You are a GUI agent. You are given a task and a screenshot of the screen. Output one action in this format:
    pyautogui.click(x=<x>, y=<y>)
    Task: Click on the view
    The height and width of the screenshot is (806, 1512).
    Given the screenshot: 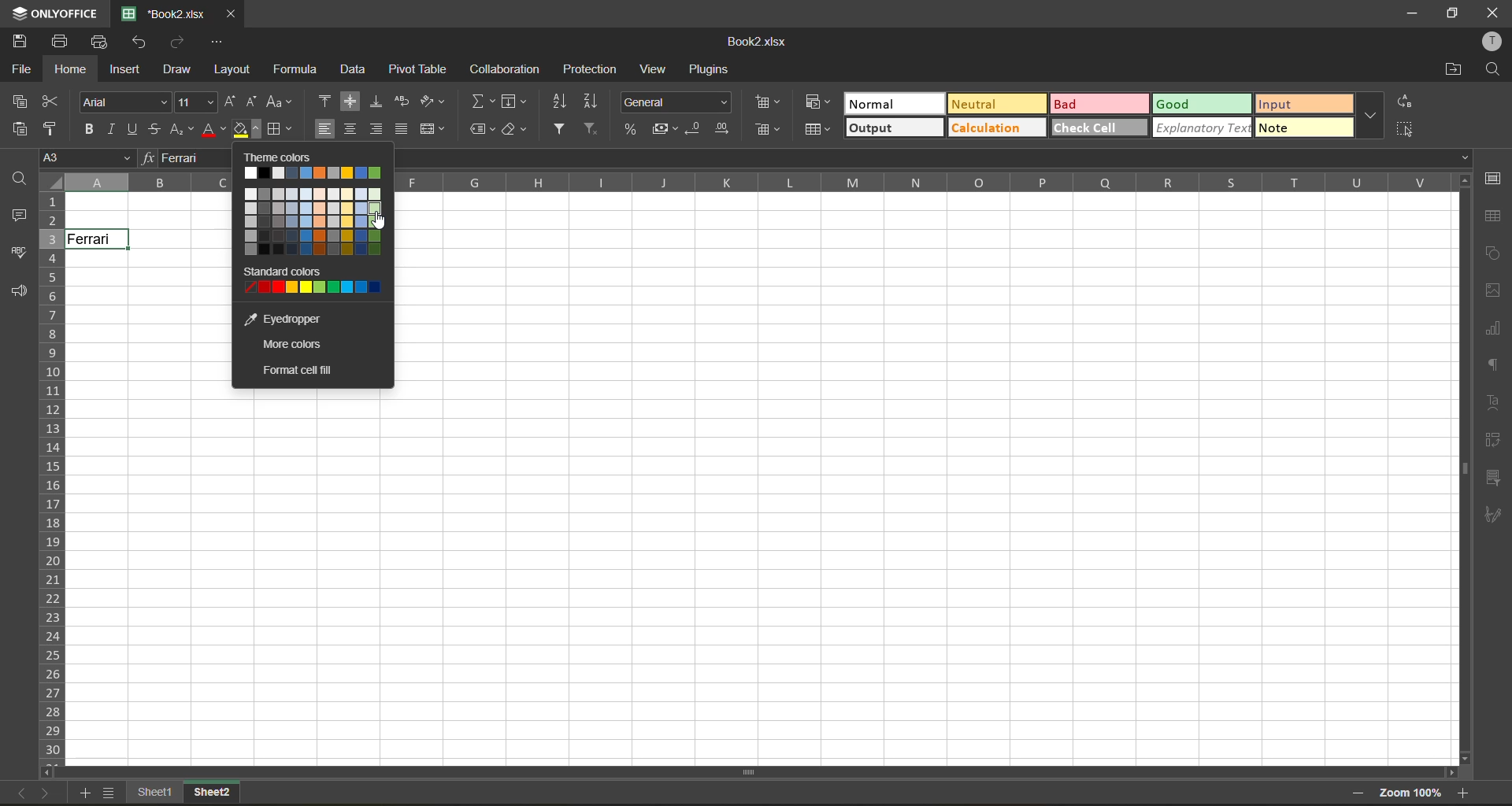 What is the action you would take?
    pyautogui.click(x=658, y=68)
    